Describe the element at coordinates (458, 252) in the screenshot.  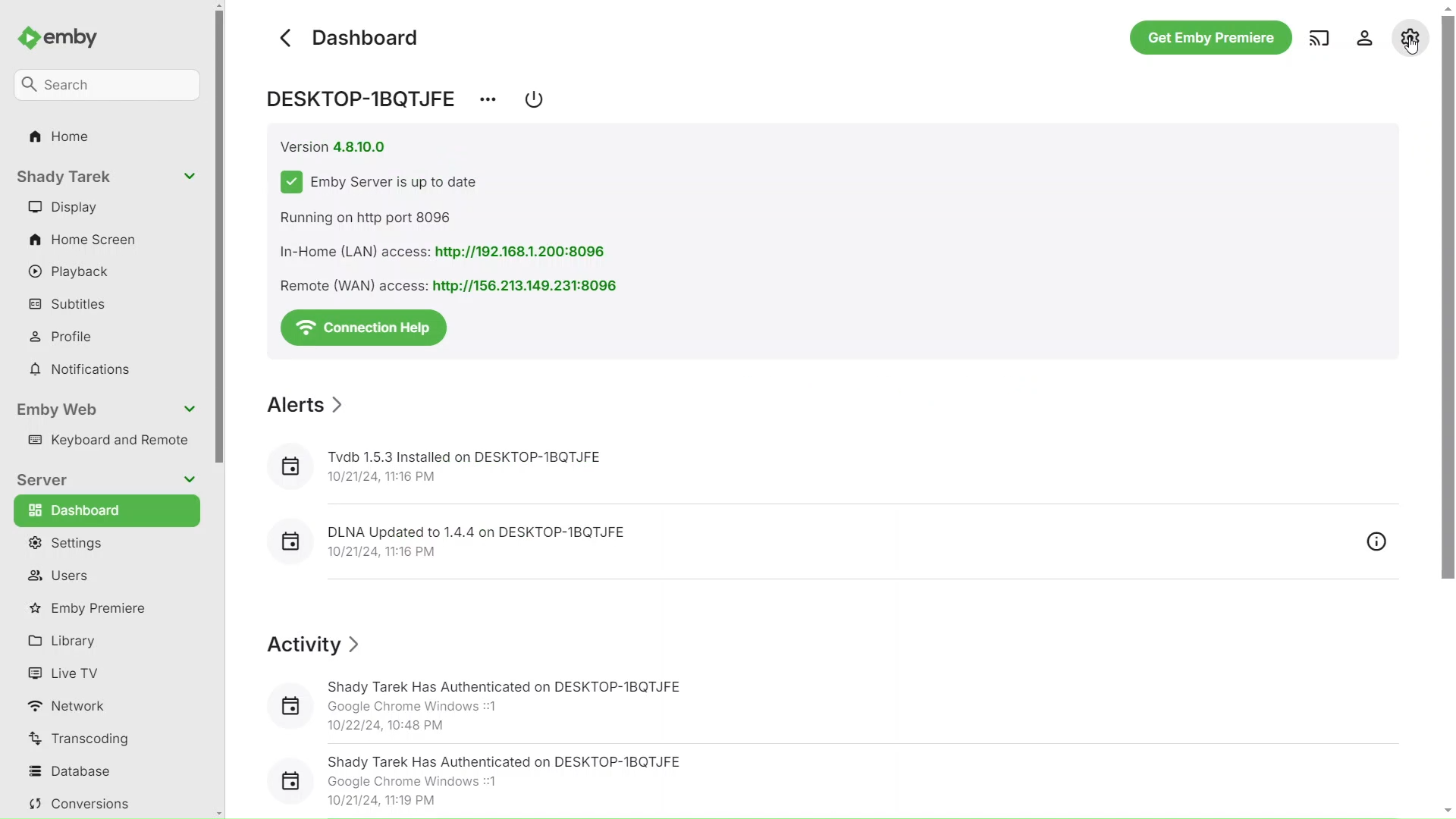
I see `In-Home (LAN) access: http://192.168.1.200:8096` at that location.